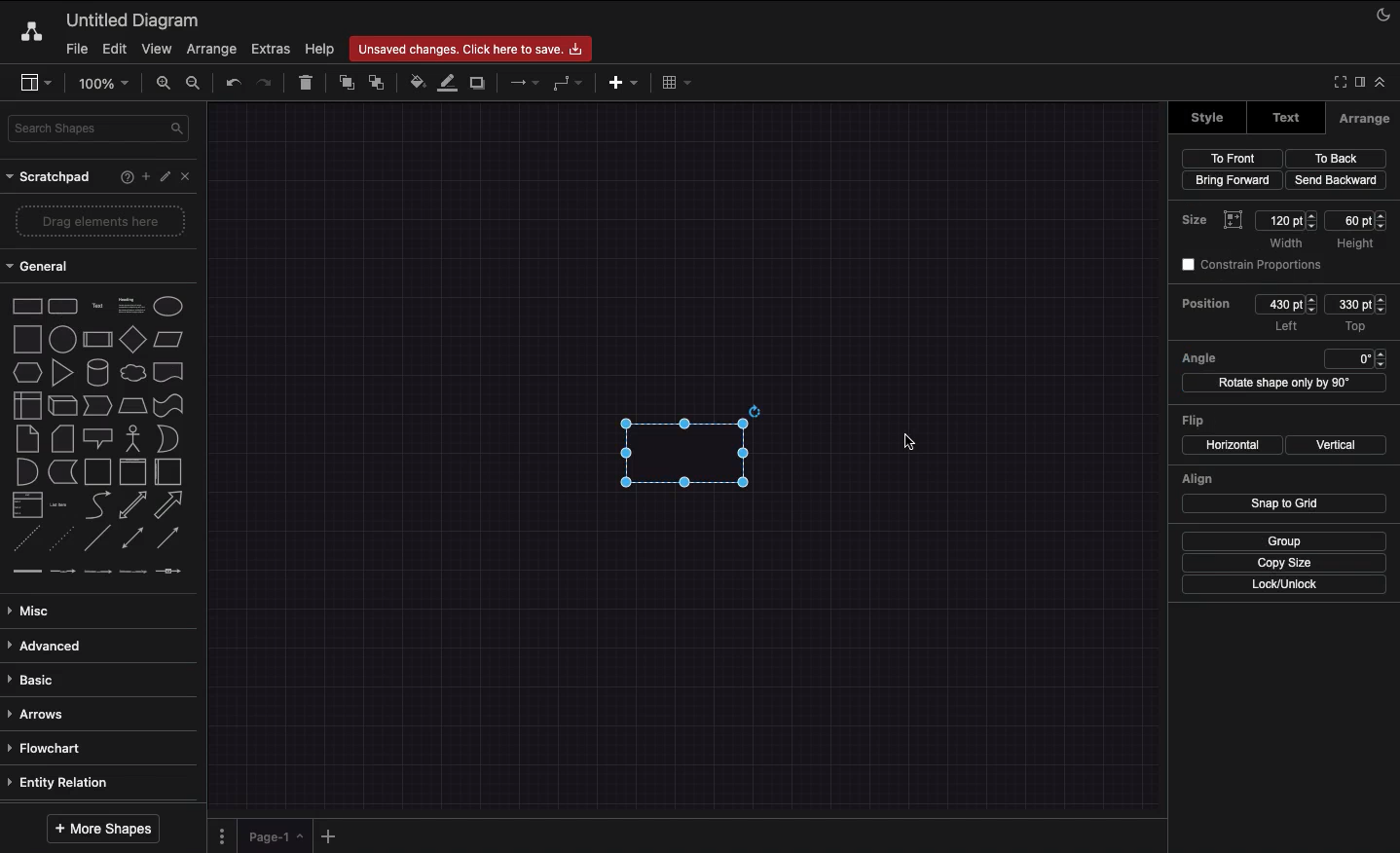  I want to click on Snap to grid, so click(1281, 504).